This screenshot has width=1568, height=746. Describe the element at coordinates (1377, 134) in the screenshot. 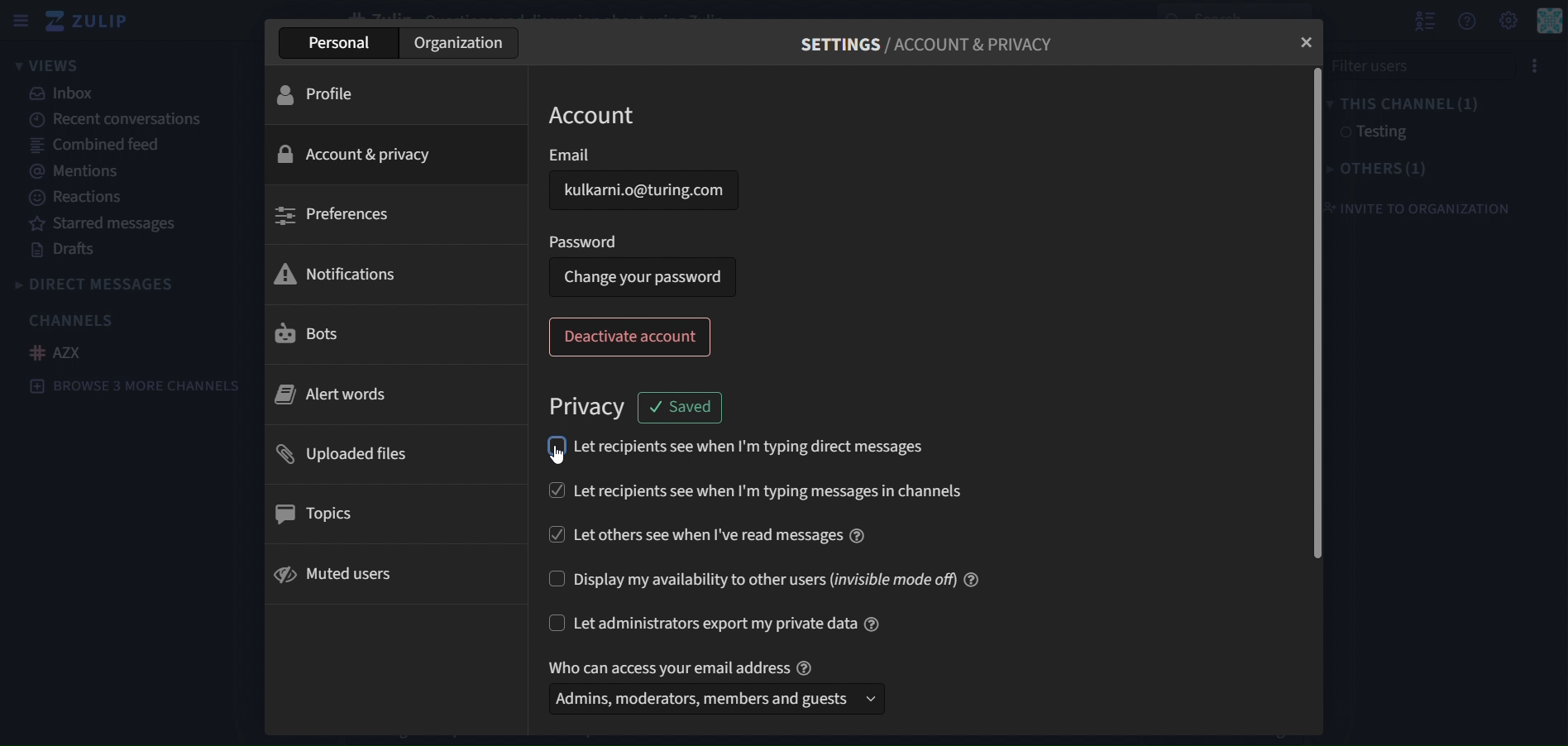

I see `testing` at that location.